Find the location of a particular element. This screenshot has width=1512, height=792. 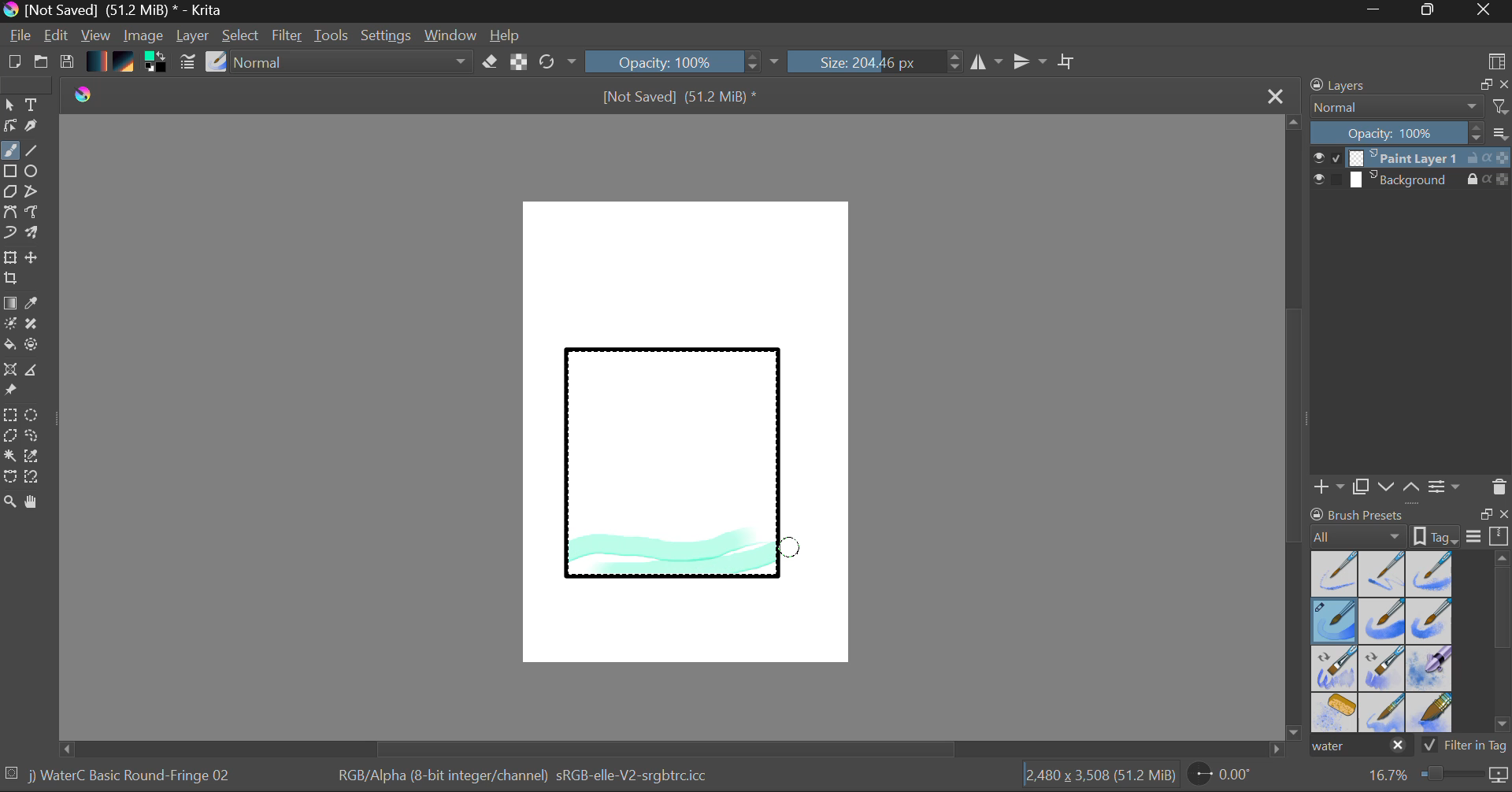

Freehand Selection is located at coordinates (32, 438).